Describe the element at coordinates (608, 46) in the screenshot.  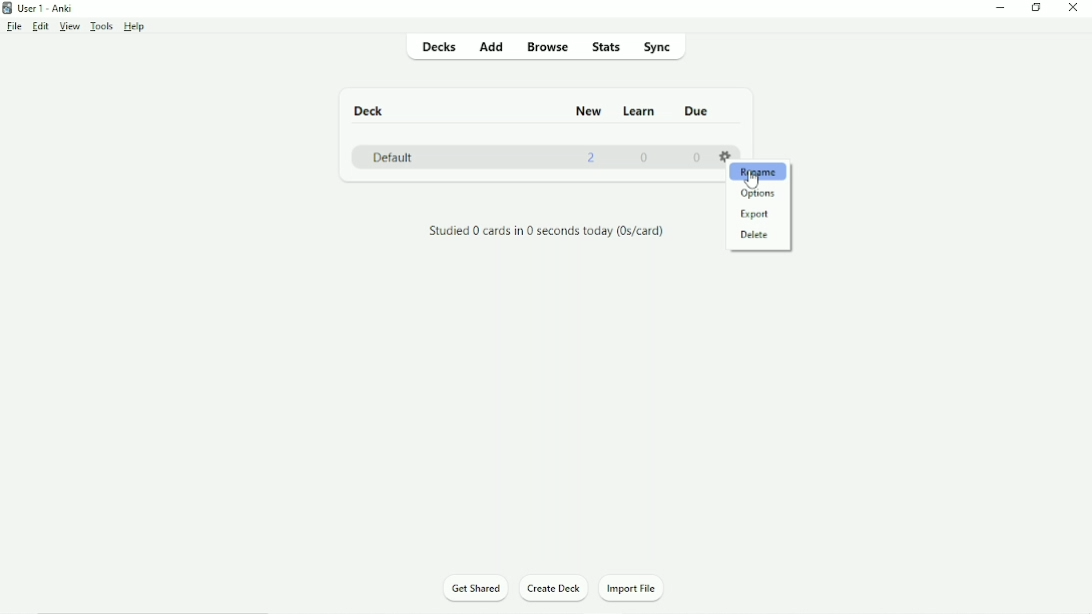
I see `Stats` at that location.